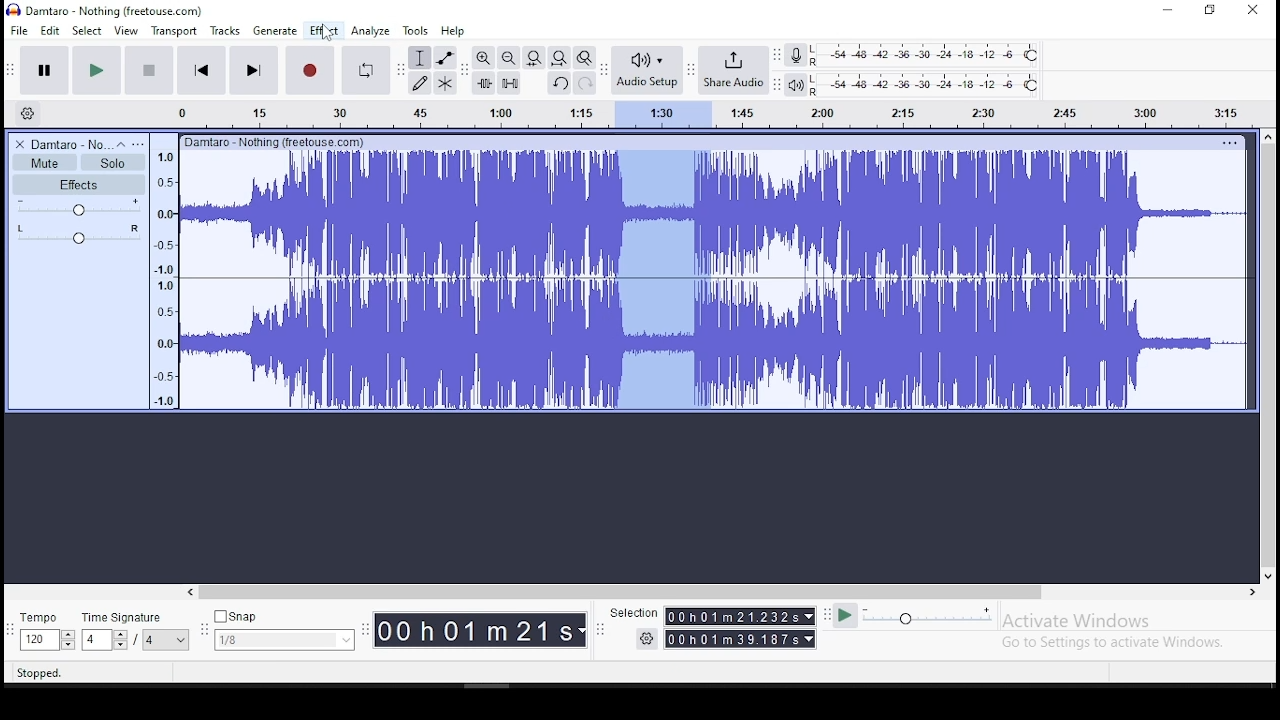 The width and height of the screenshot is (1280, 720). I want to click on play, so click(96, 71).